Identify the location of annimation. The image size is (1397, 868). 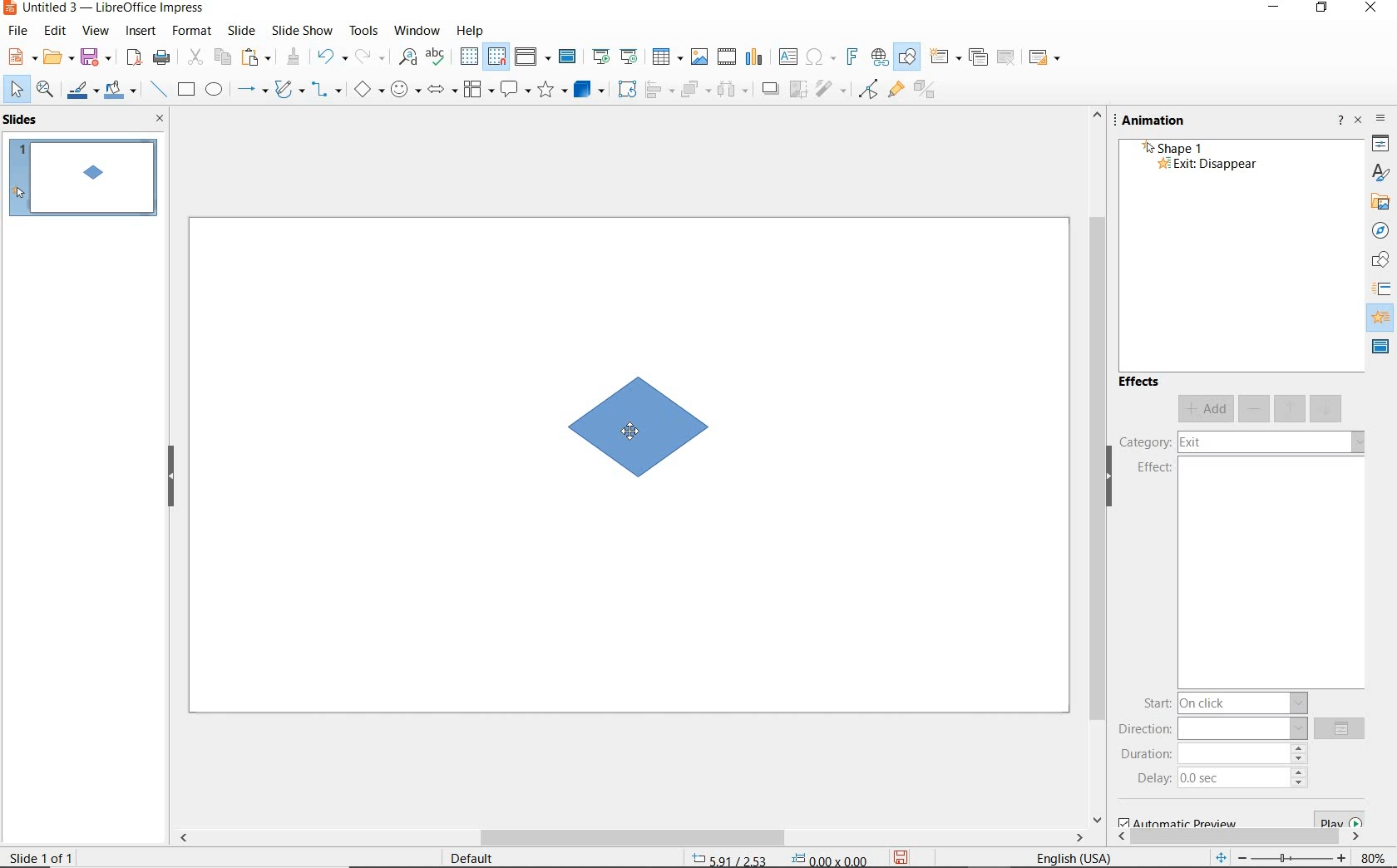
(1173, 122).